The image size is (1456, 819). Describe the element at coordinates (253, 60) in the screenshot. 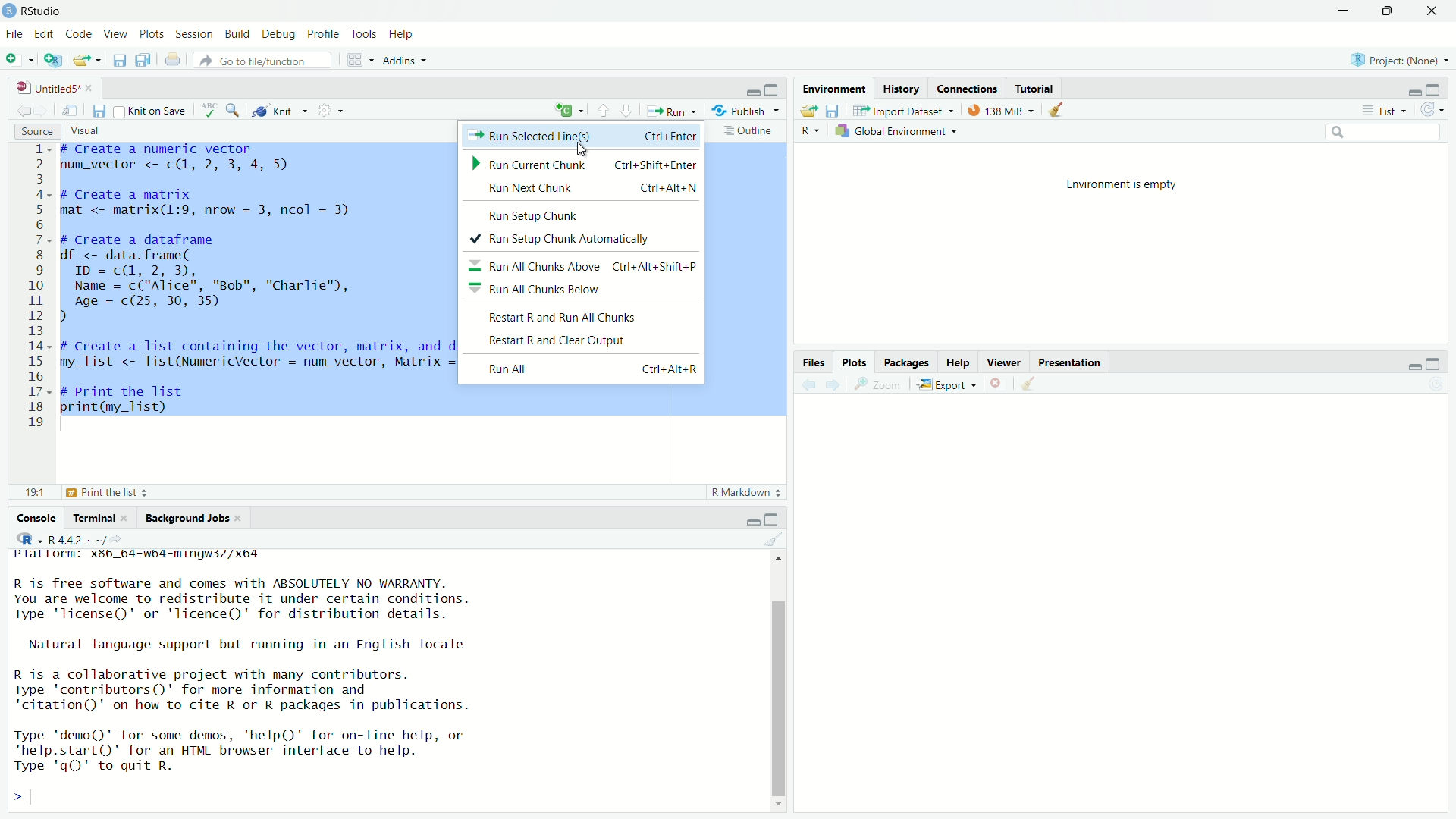

I see `Go to file/function` at that location.